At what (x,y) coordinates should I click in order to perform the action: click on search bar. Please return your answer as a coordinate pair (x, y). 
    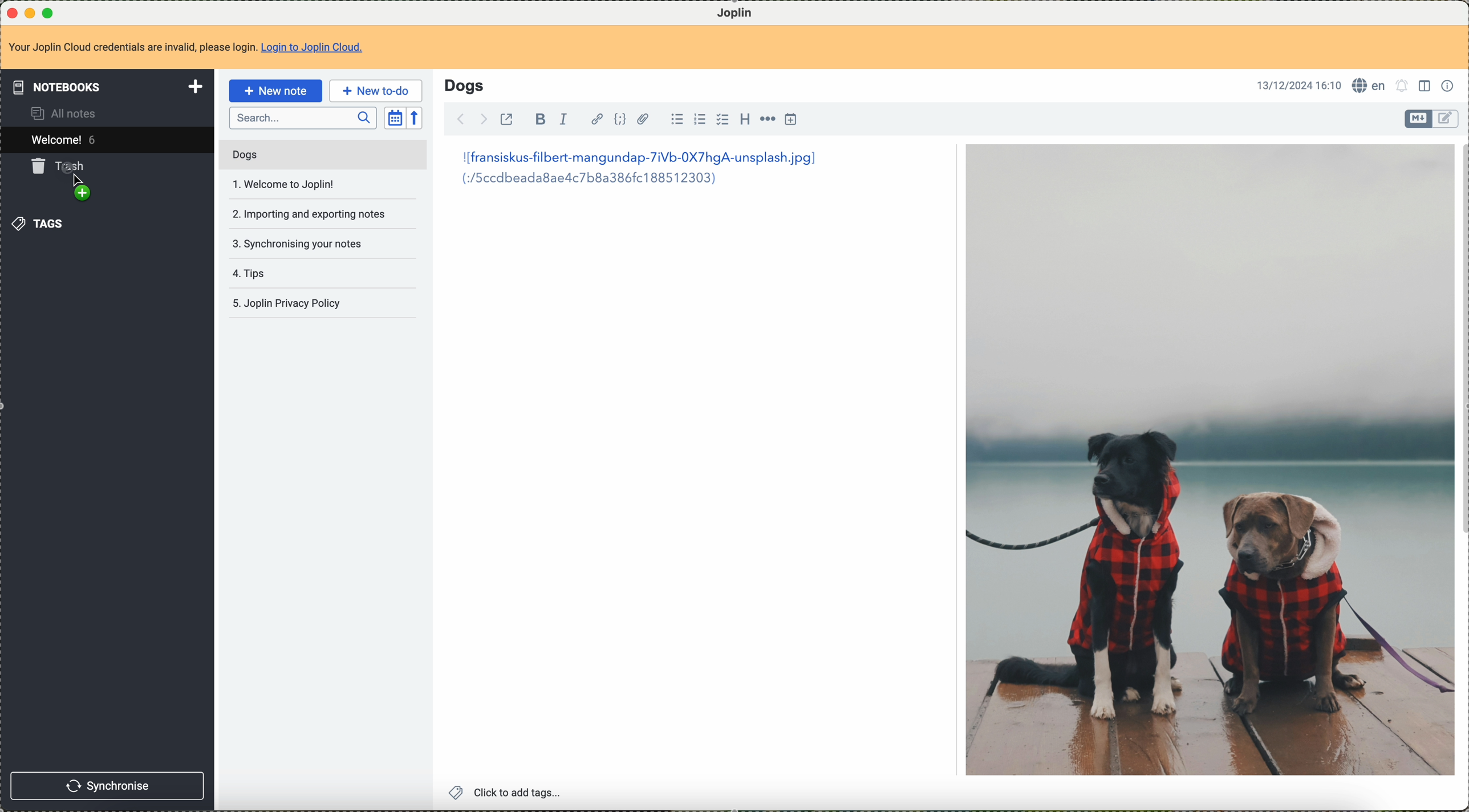
    Looking at the image, I should click on (302, 116).